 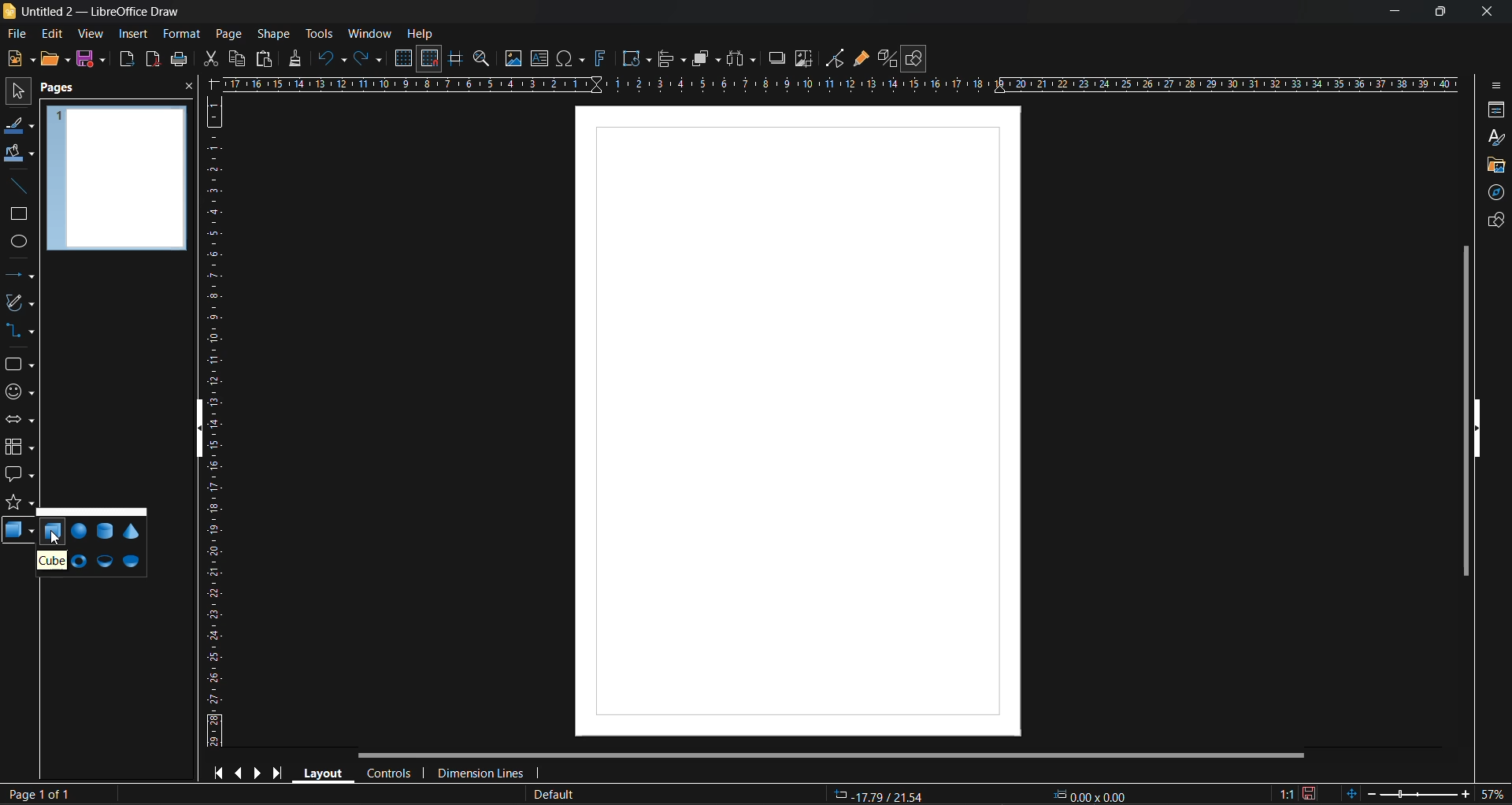 I want to click on layout, so click(x=325, y=773).